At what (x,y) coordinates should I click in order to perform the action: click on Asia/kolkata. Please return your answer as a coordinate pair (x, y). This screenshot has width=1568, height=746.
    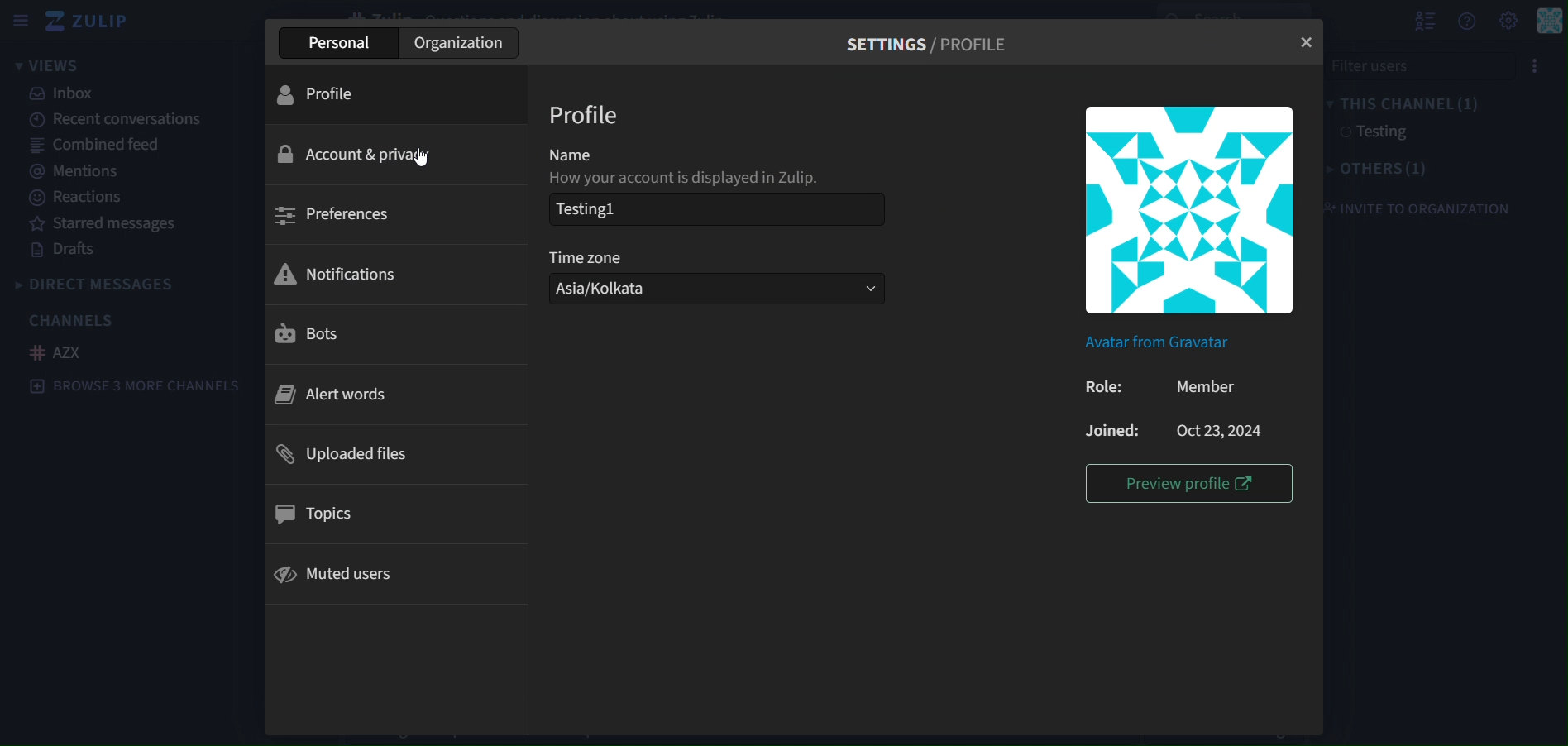
    Looking at the image, I should click on (732, 289).